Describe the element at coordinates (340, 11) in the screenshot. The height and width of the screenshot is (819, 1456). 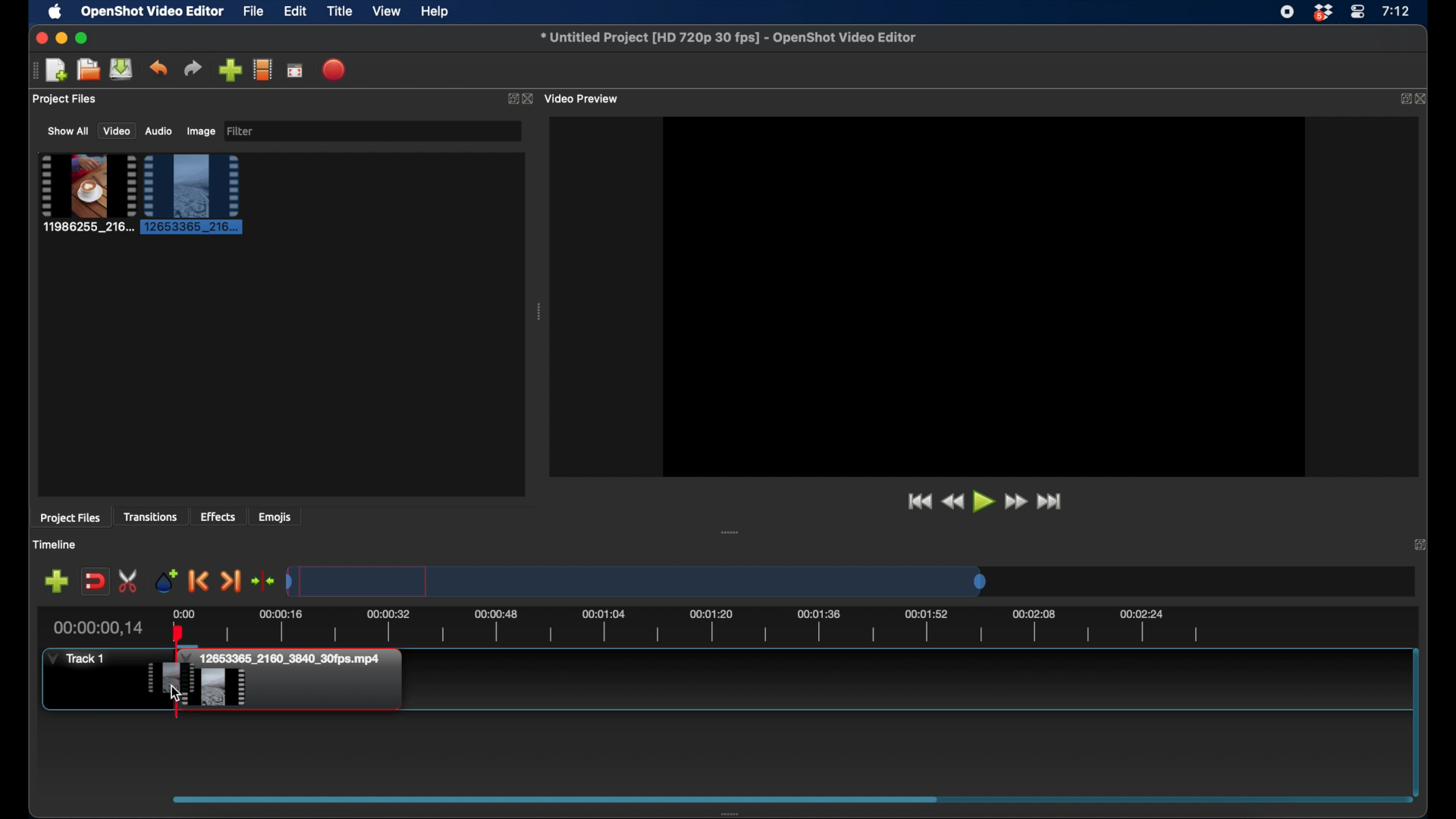
I see `title` at that location.